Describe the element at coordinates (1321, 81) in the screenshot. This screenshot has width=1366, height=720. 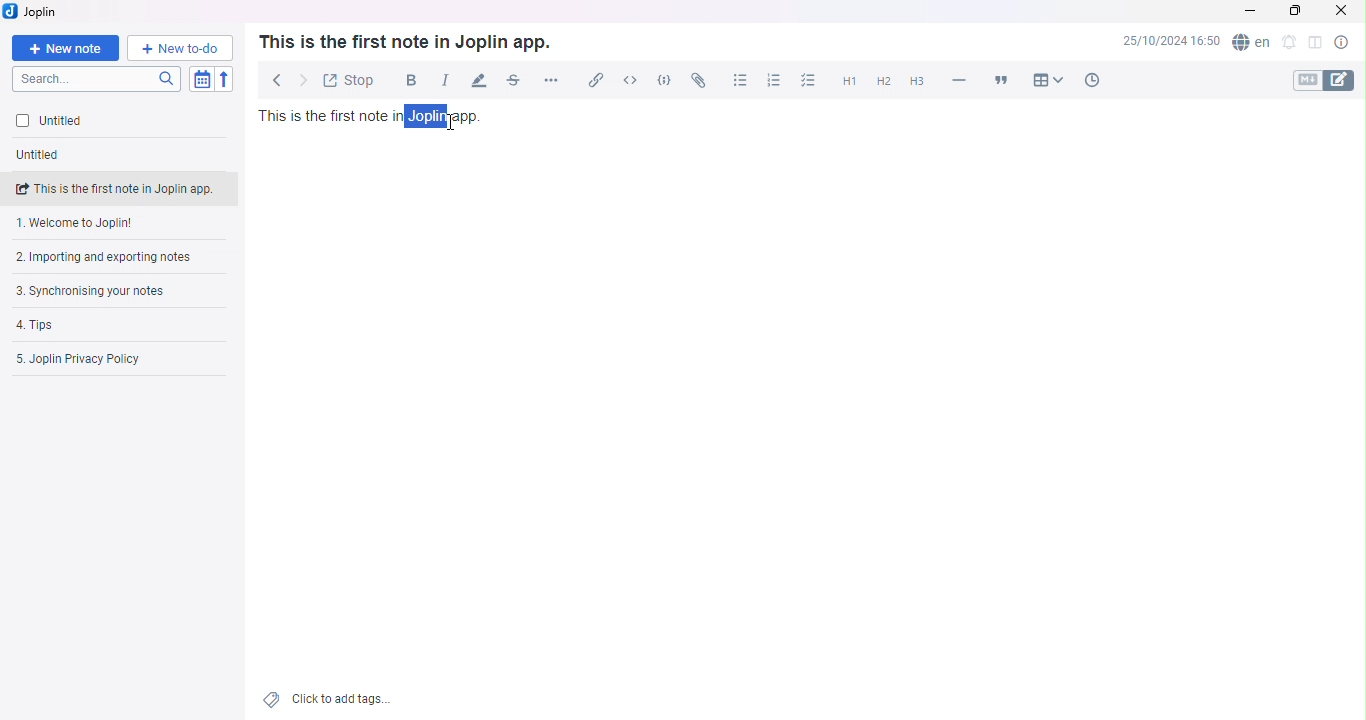
I see `Toggle editors` at that location.